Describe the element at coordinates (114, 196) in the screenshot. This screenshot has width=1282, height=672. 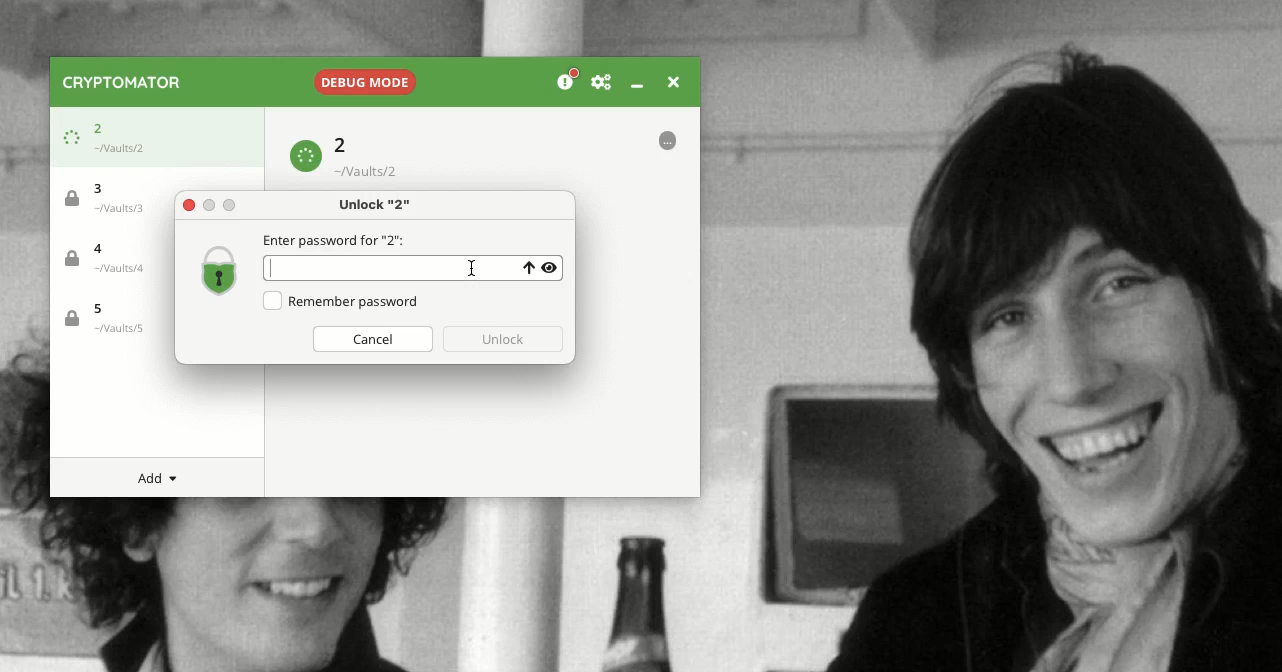
I see `Vault 3` at that location.